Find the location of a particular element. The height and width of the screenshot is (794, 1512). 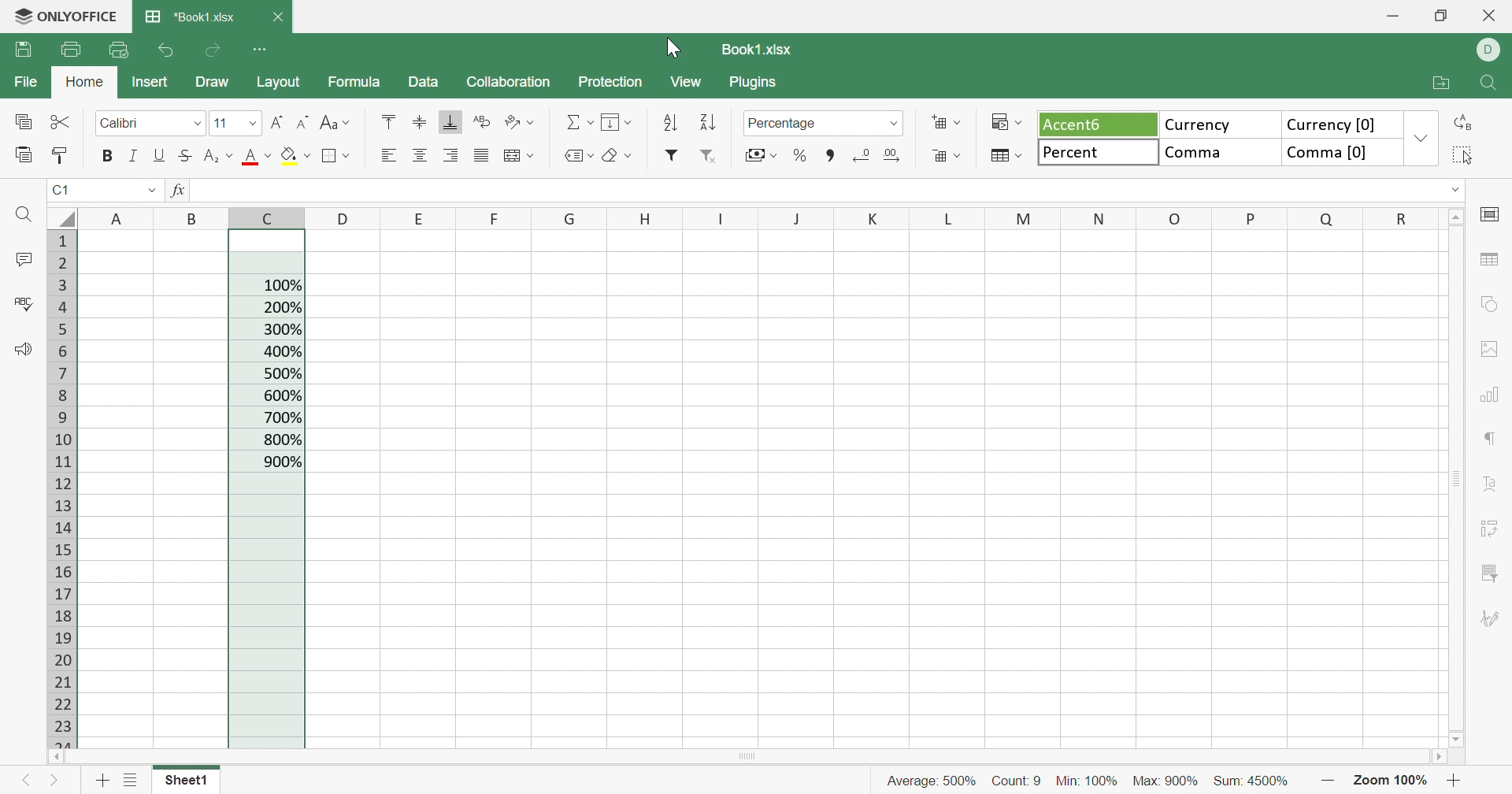

Redo is located at coordinates (215, 50).